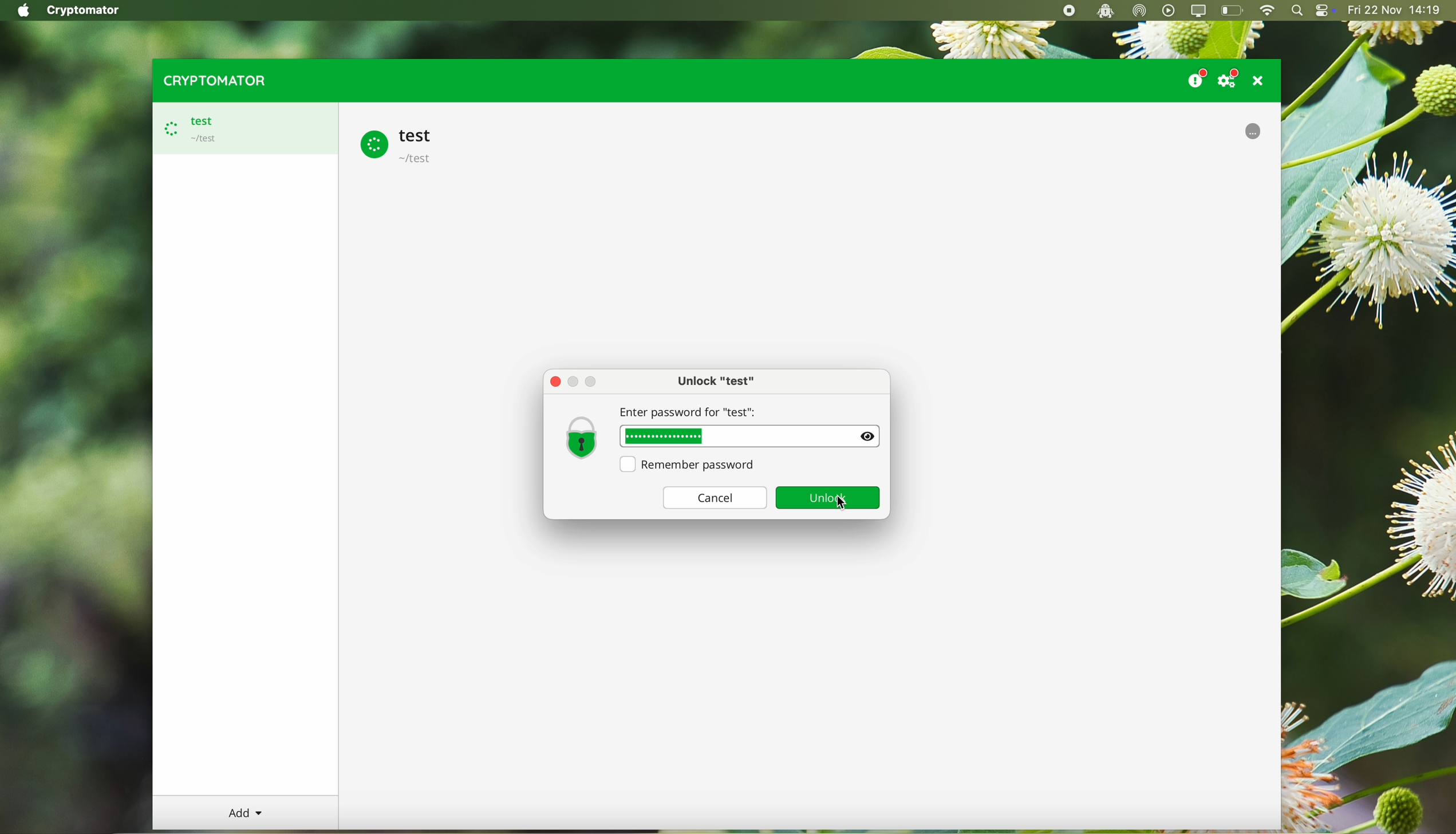 The height and width of the screenshot is (834, 1456). What do you see at coordinates (666, 436) in the screenshot?
I see `password` at bounding box center [666, 436].